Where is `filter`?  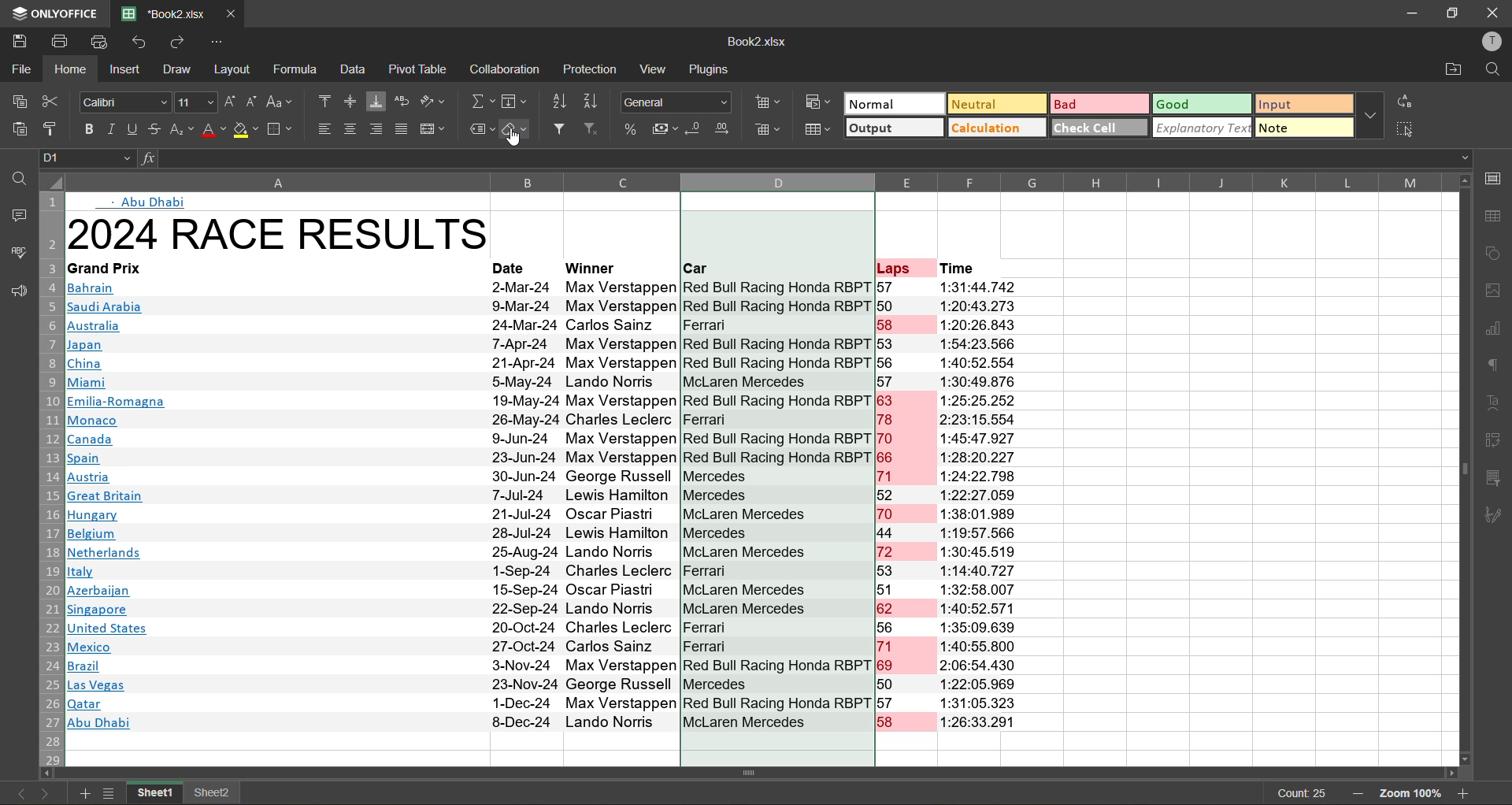
filter is located at coordinates (558, 129).